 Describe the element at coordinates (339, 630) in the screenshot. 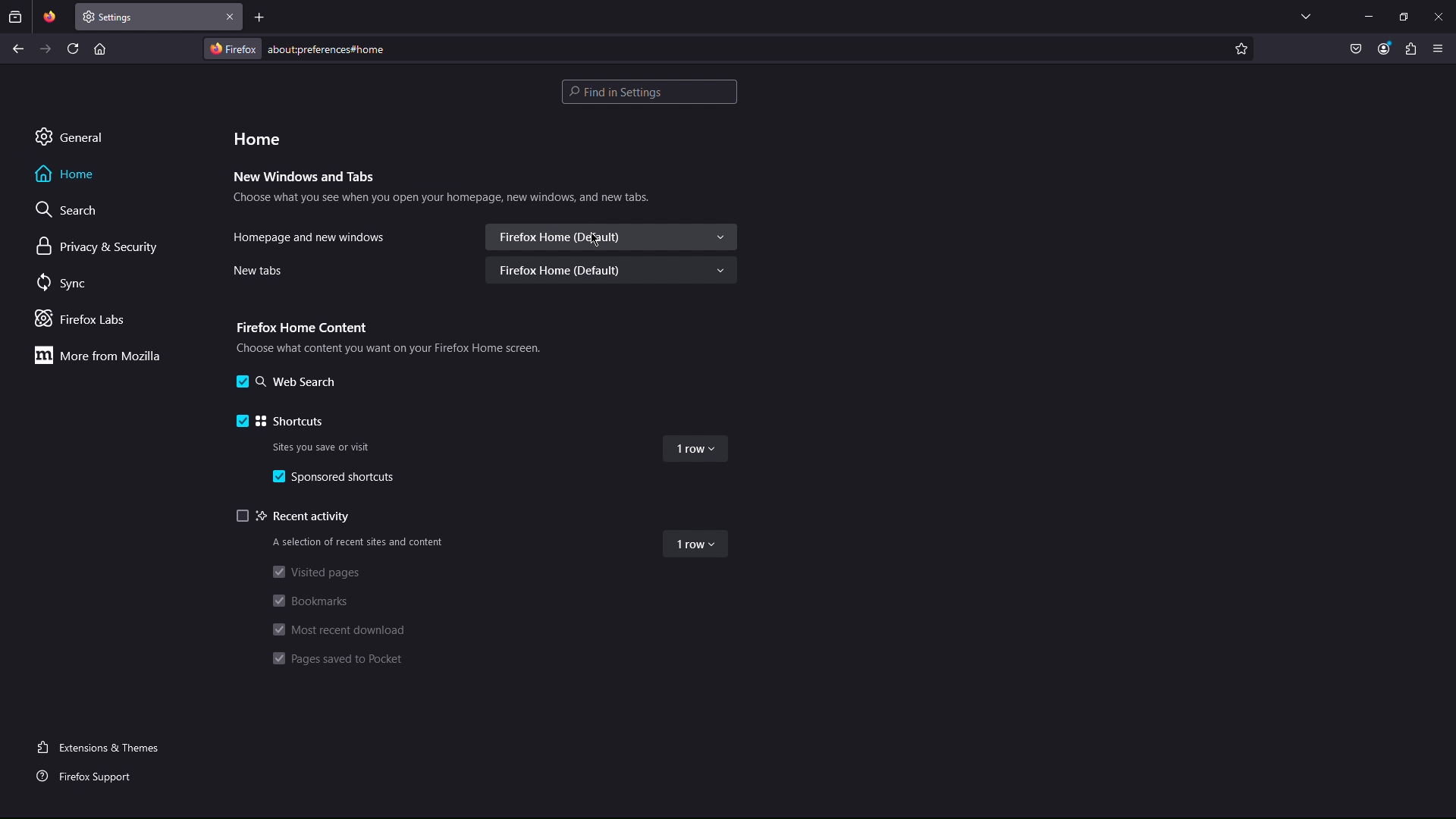

I see `Most recent download` at that location.